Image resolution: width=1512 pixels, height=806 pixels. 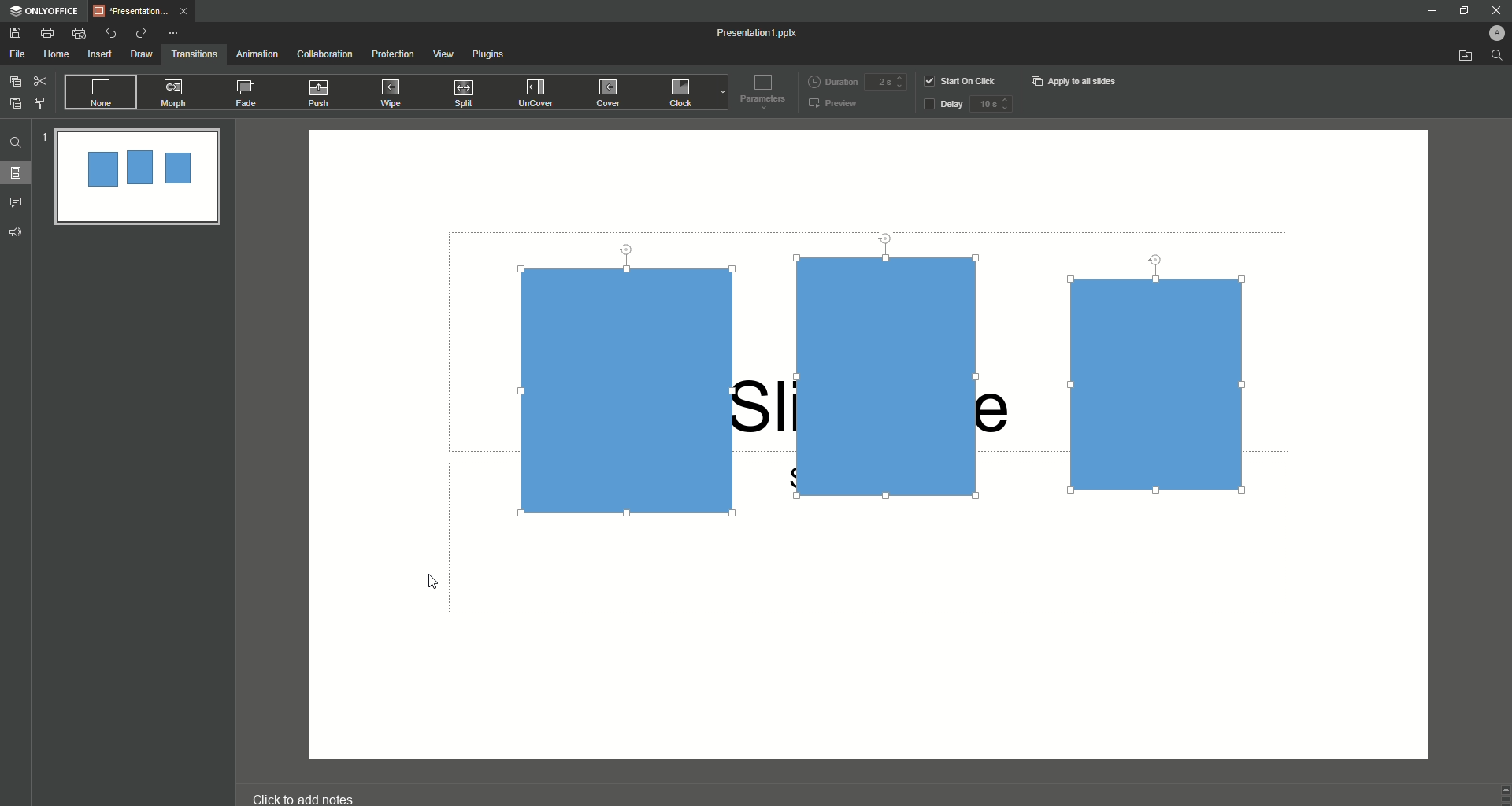 What do you see at coordinates (19, 201) in the screenshot?
I see `Comments` at bounding box center [19, 201].